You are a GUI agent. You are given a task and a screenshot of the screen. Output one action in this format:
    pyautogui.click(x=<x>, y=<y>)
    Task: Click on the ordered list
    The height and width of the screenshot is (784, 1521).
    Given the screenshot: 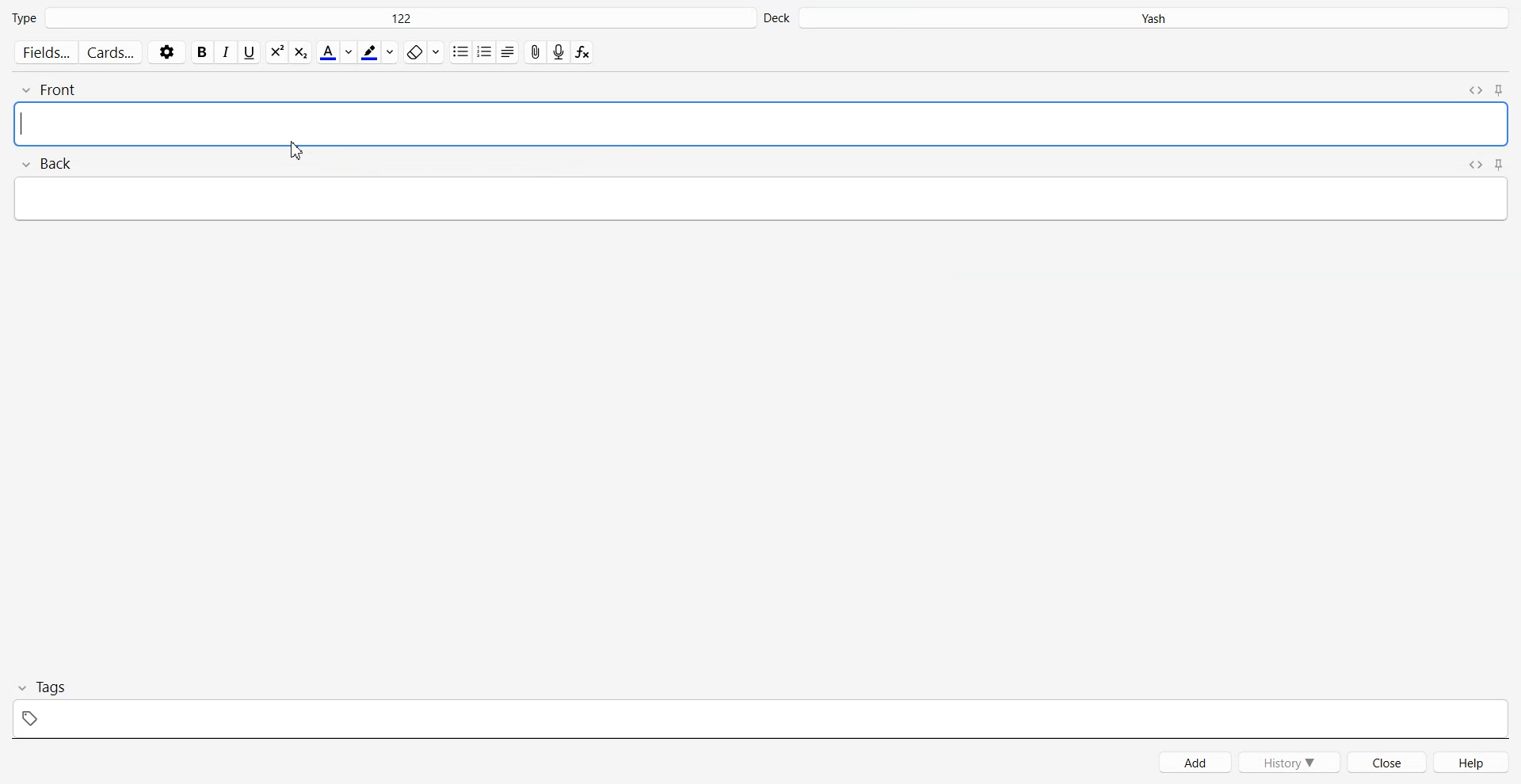 What is the action you would take?
    pyautogui.click(x=484, y=51)
    